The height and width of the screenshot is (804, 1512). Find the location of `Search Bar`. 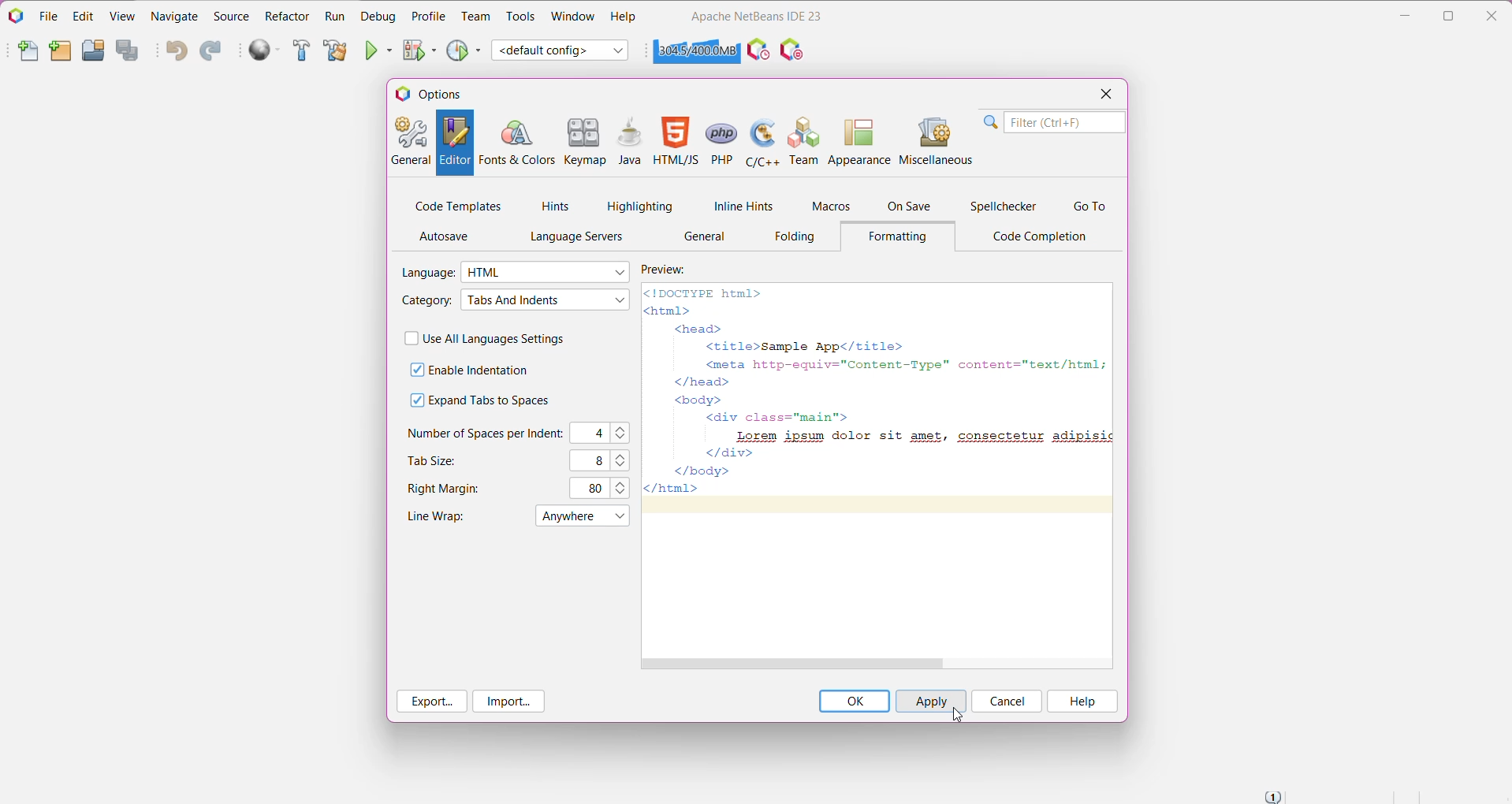

Search Bar is located at coordinates (1052, 122).